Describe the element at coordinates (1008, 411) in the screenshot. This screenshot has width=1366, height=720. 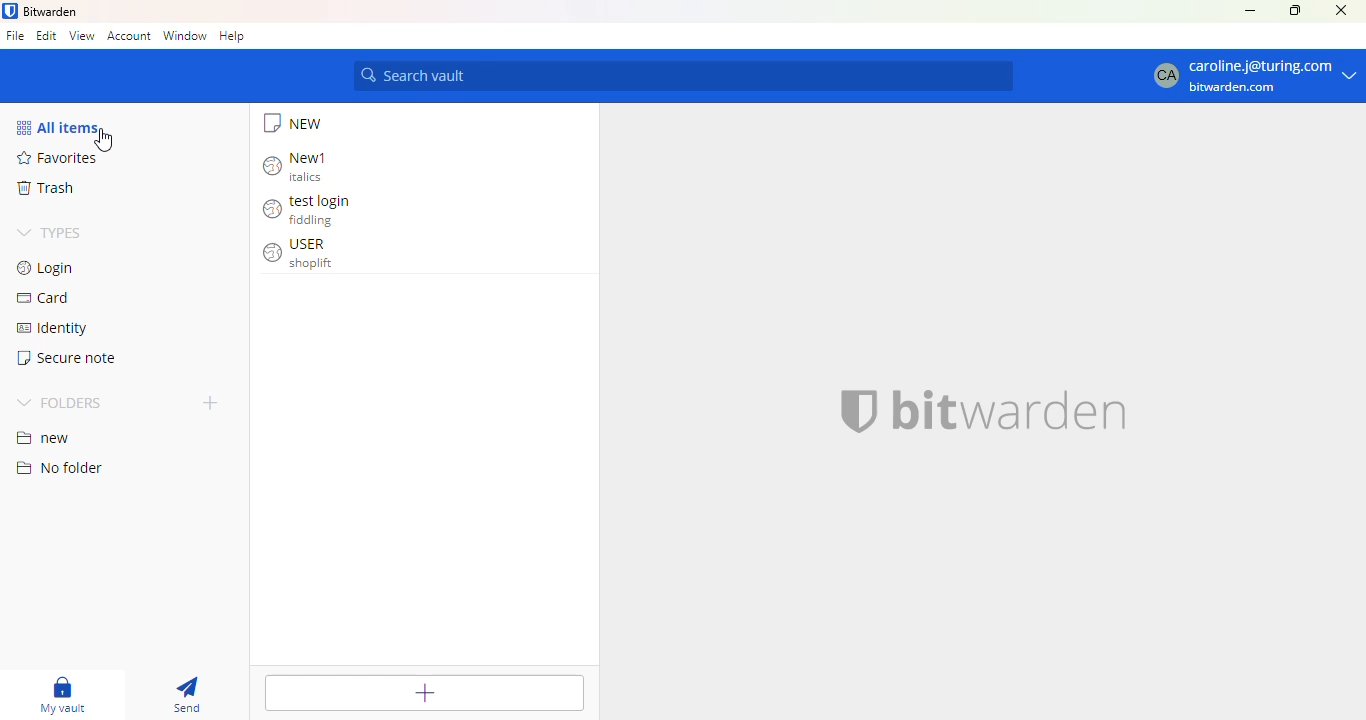
I see `bitwarden` at that location.